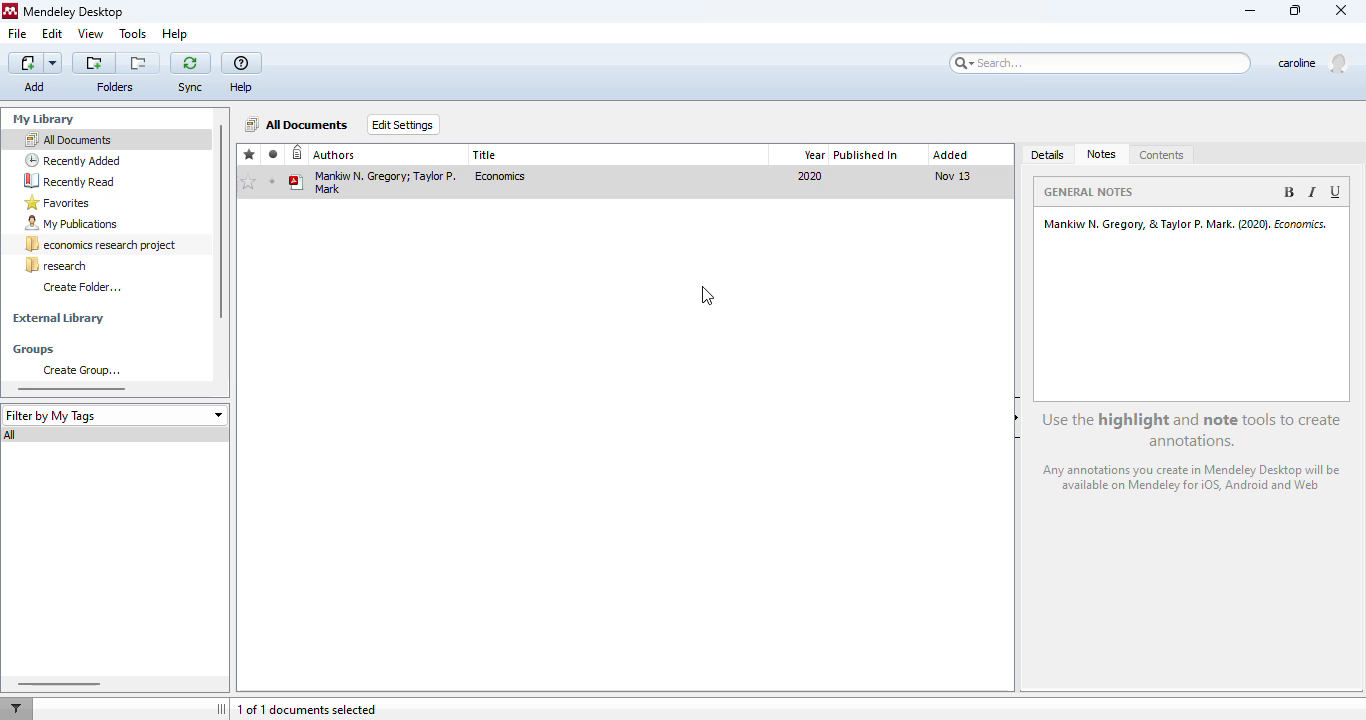 The width and height of the screenshot is (1366, 720). What do you see at coordinates (81, 370) in the screenshot?
I see `create group` at bounding box center [81, 370].